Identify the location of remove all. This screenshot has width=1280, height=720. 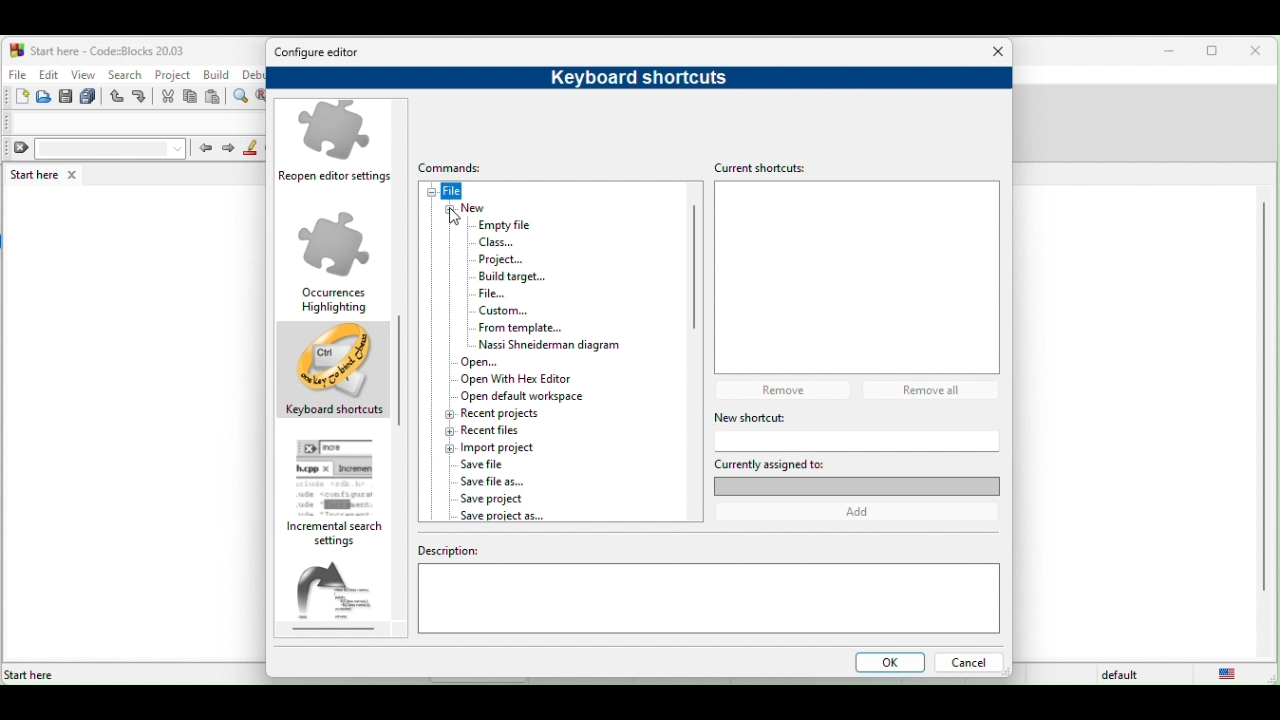
(936, 390).